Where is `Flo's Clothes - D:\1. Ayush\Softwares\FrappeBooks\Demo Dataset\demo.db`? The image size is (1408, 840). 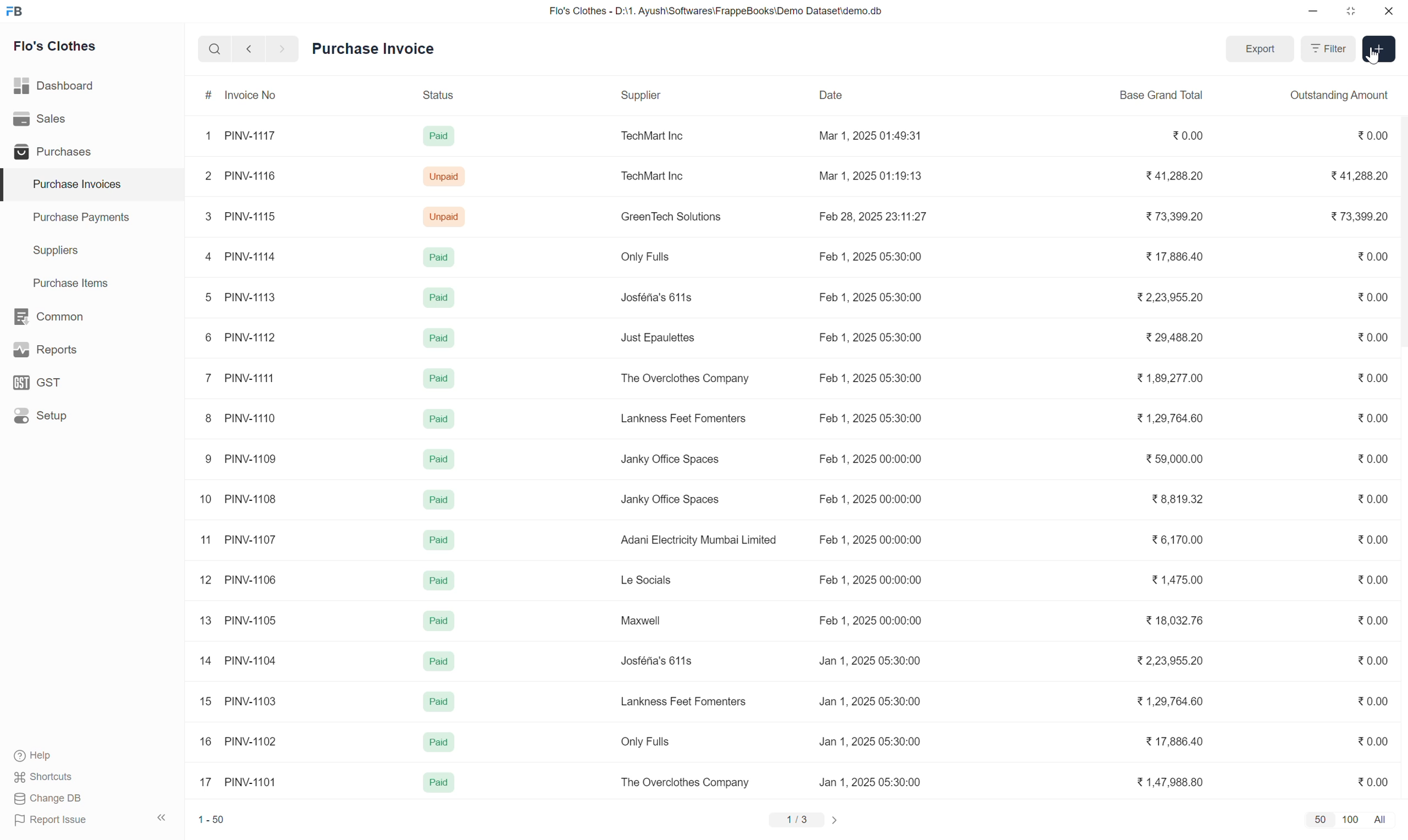
Flo's Clothes - D:\1. Ayush\Softwares\FrappeBooks\Demo Dataset\demo.db is located at coordinates (716, 10).